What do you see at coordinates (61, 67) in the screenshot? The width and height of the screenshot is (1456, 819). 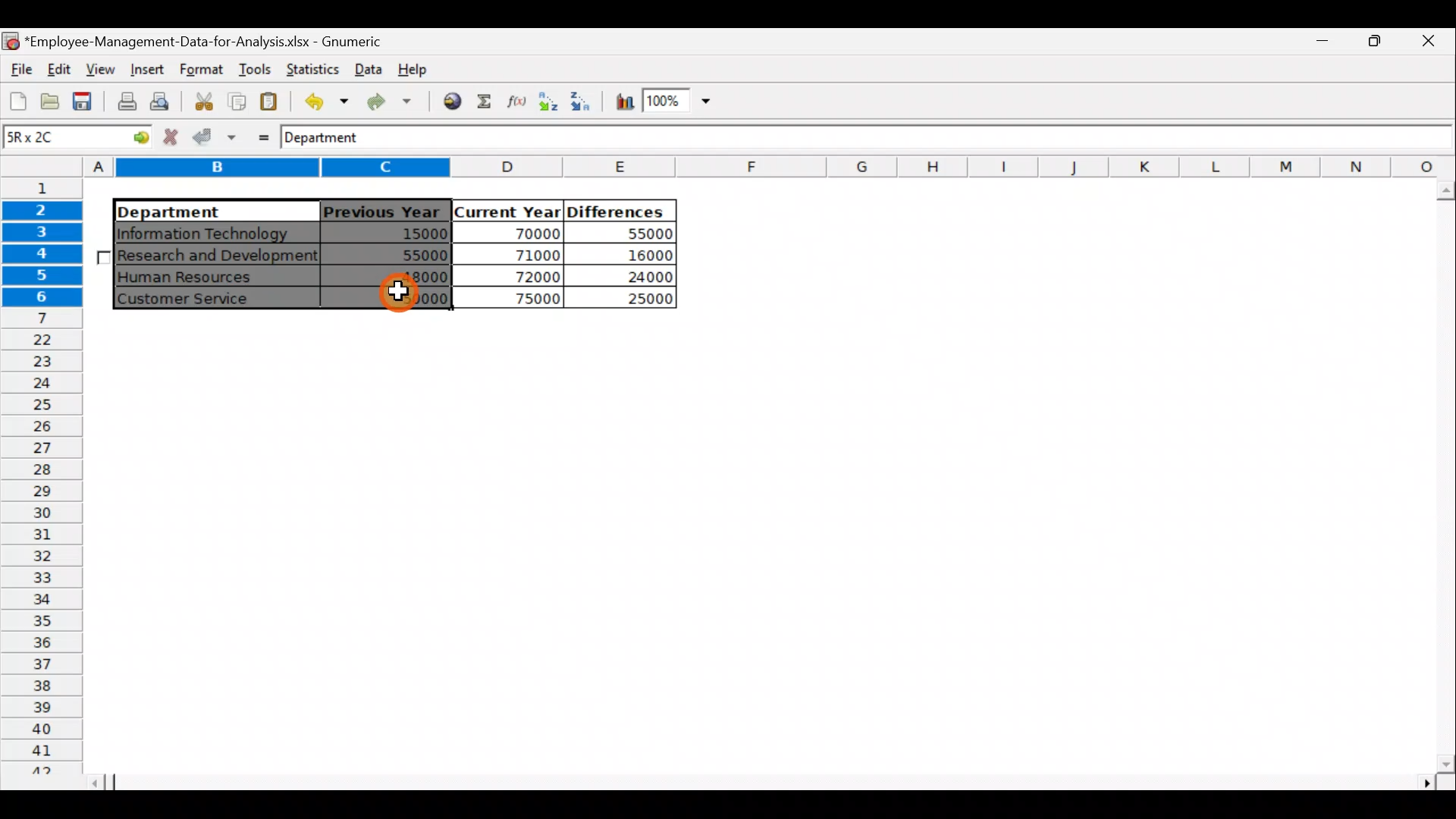 I see `Edit` at bounding box center [61, 67].